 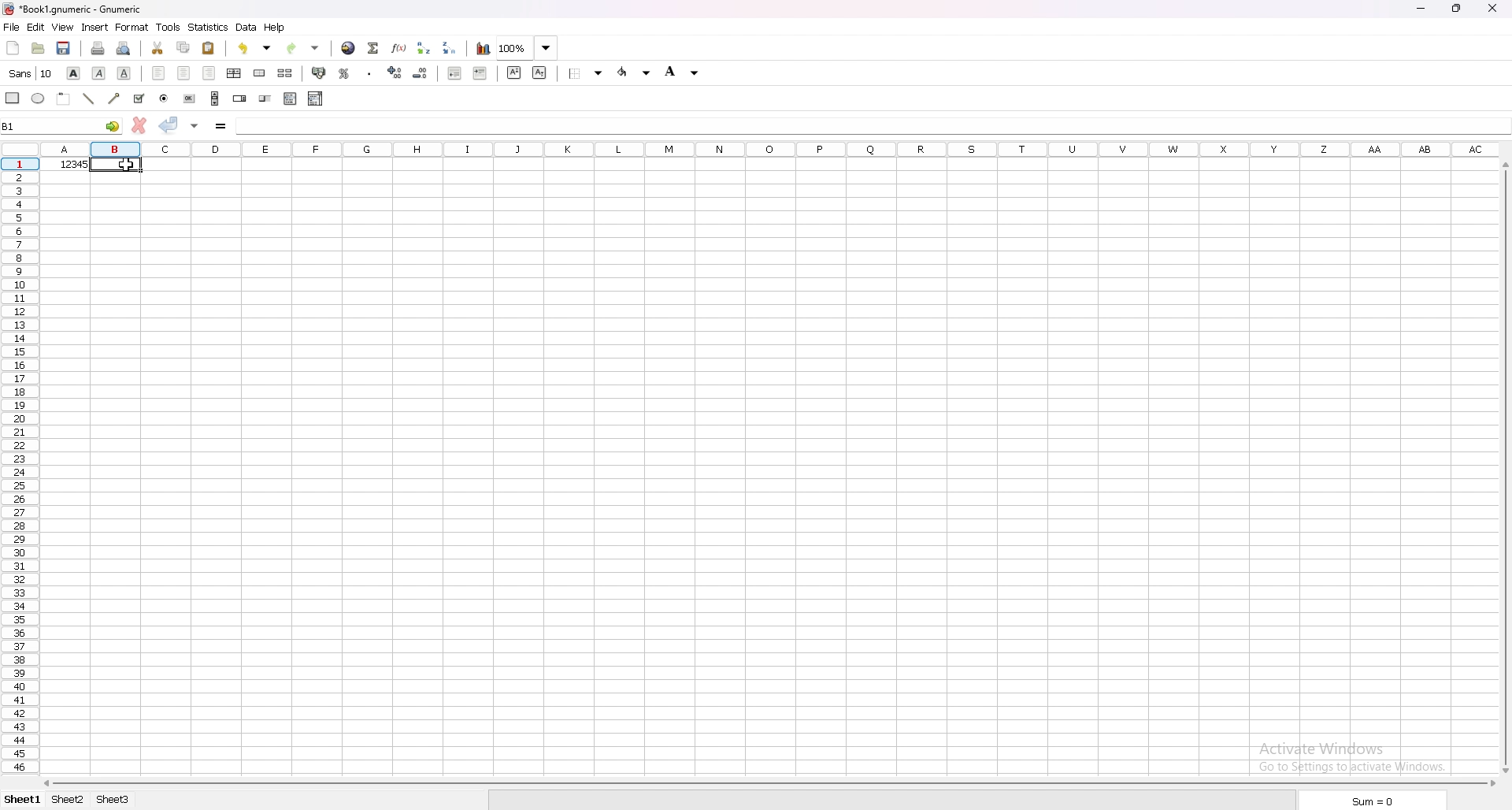 I want to click on percentage, so click(x=344, y=72).